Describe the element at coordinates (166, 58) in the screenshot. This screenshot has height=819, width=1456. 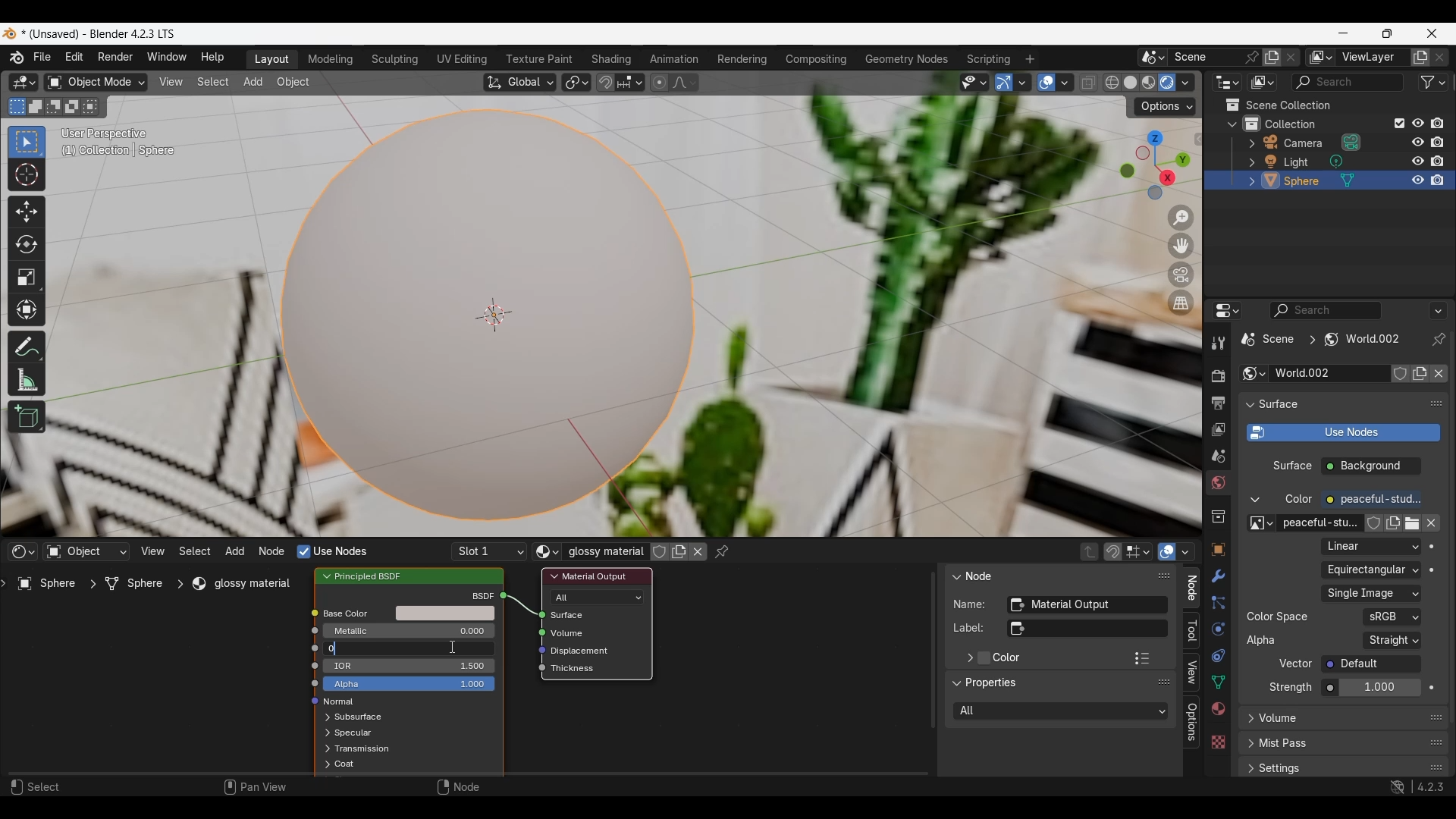
I see `Window` at that location.